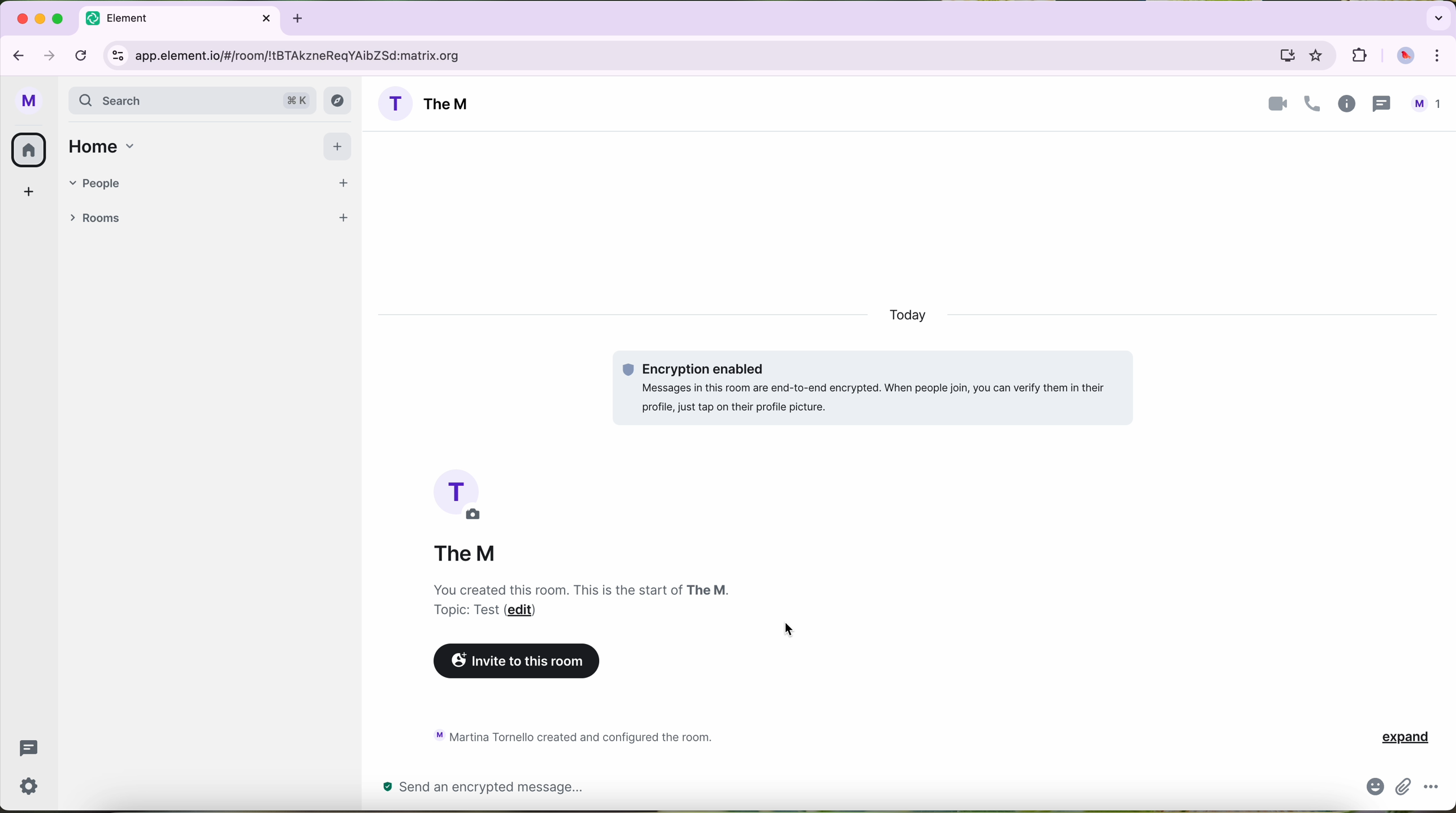 This screenshot has width=1456, height=813. I want to click on new tabb, so click(302, 18).